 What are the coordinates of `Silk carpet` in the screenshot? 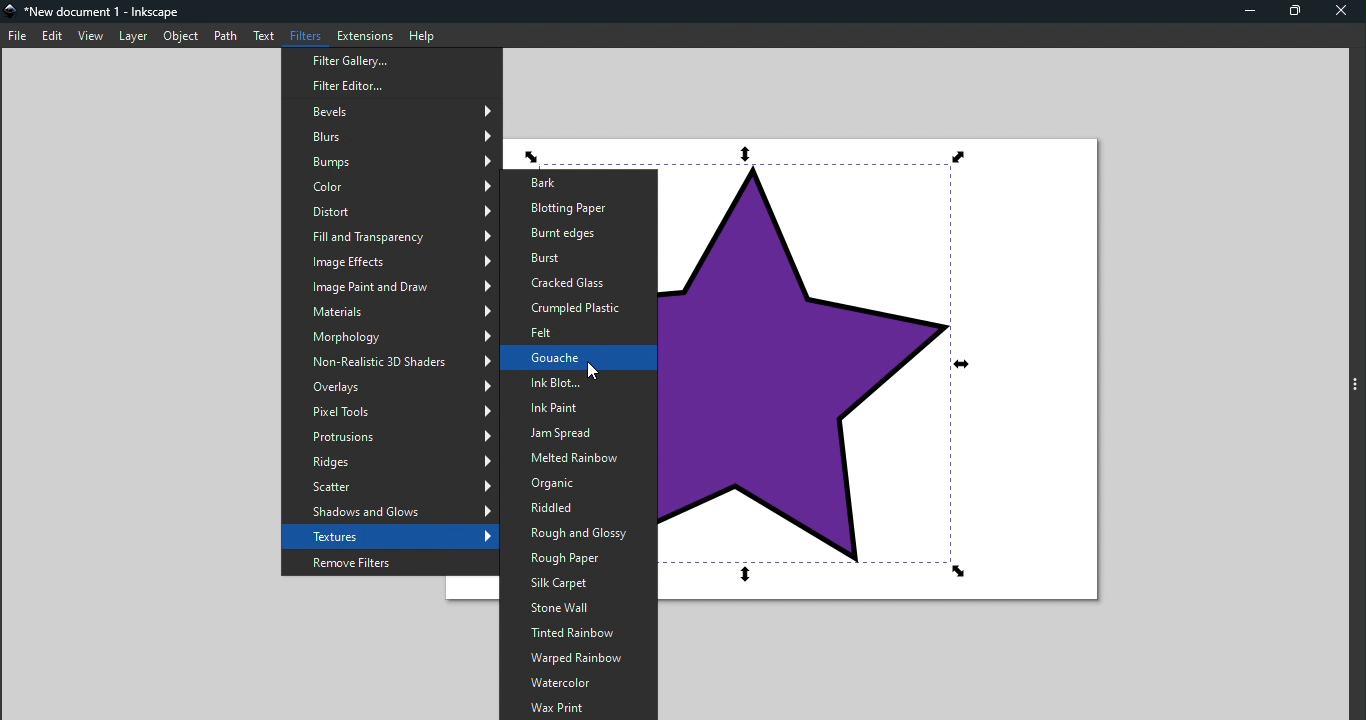 It's located at (577, 583).